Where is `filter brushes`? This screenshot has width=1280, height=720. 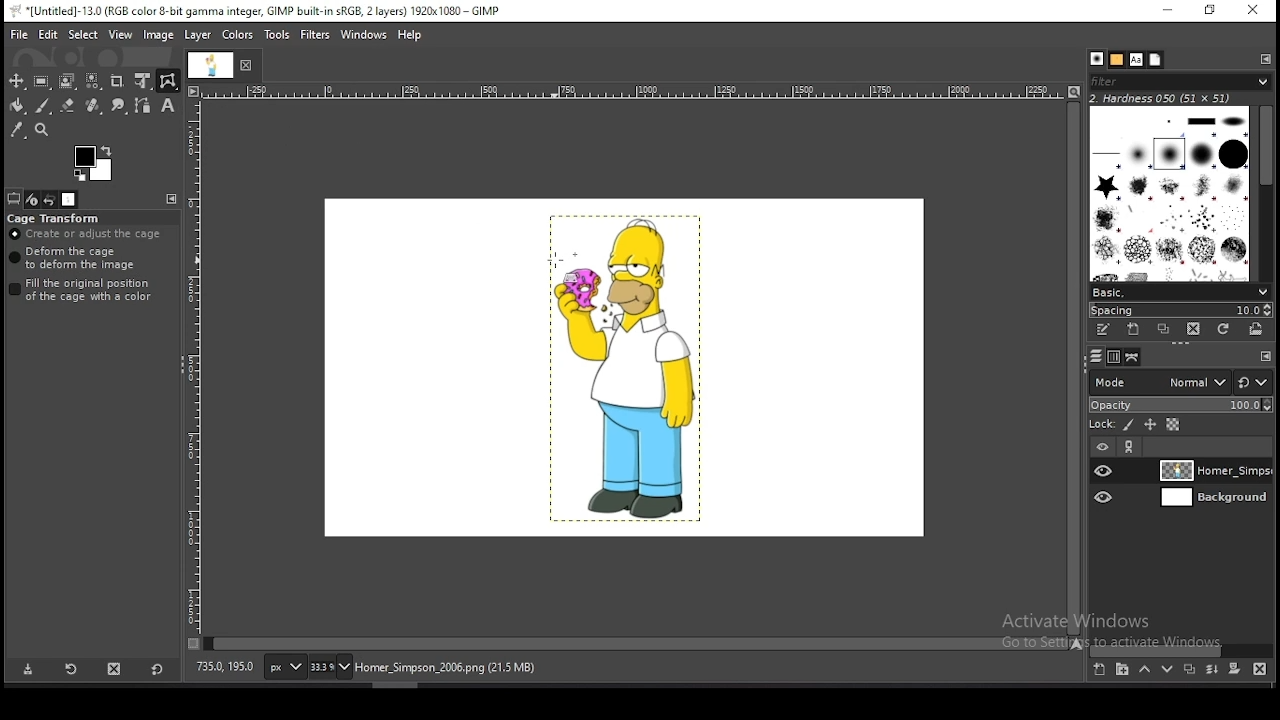
filter brushes is located at coordinates (1181, 83).